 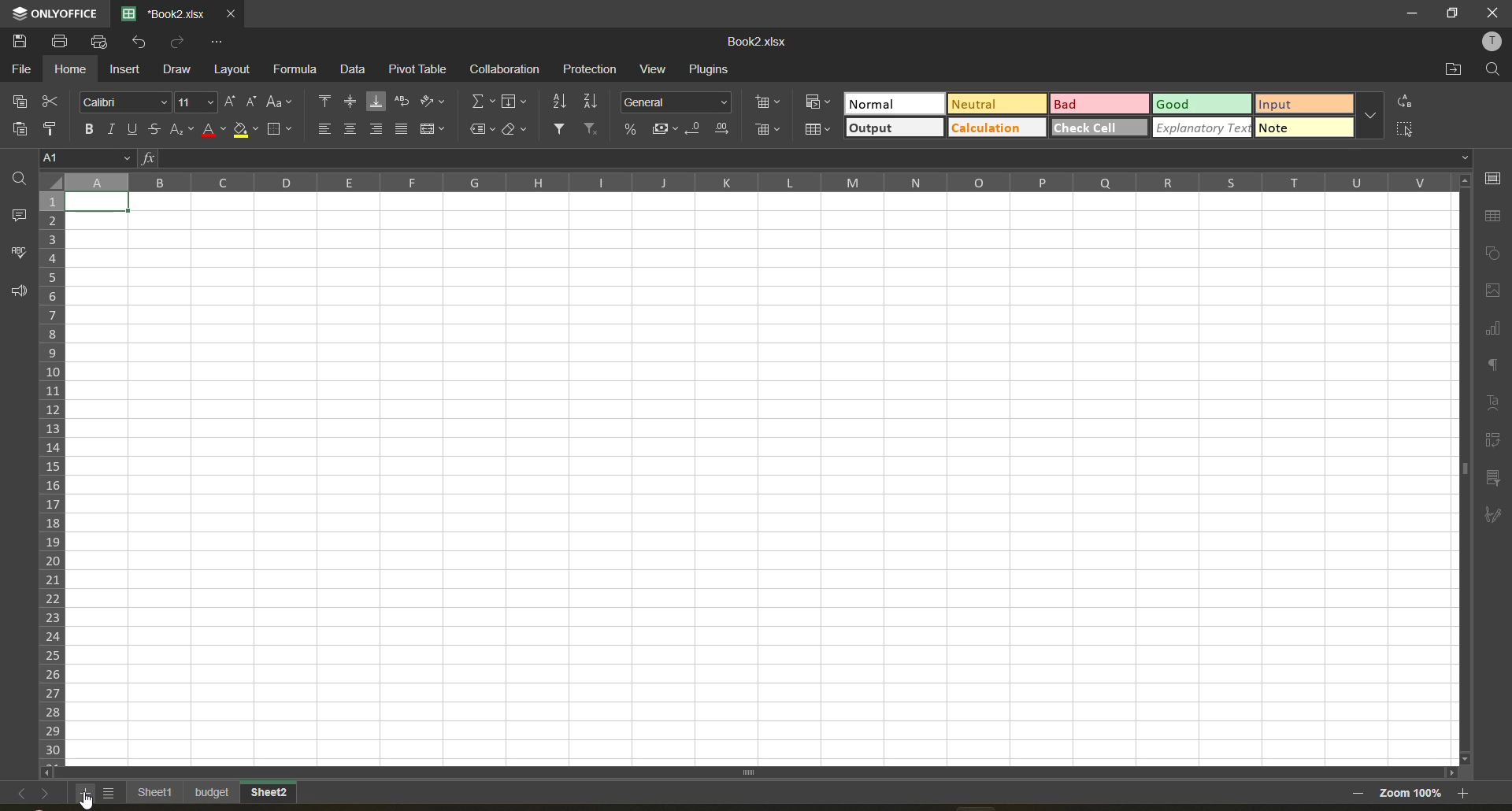 I want to click on underline, so click(x=137, y=131).